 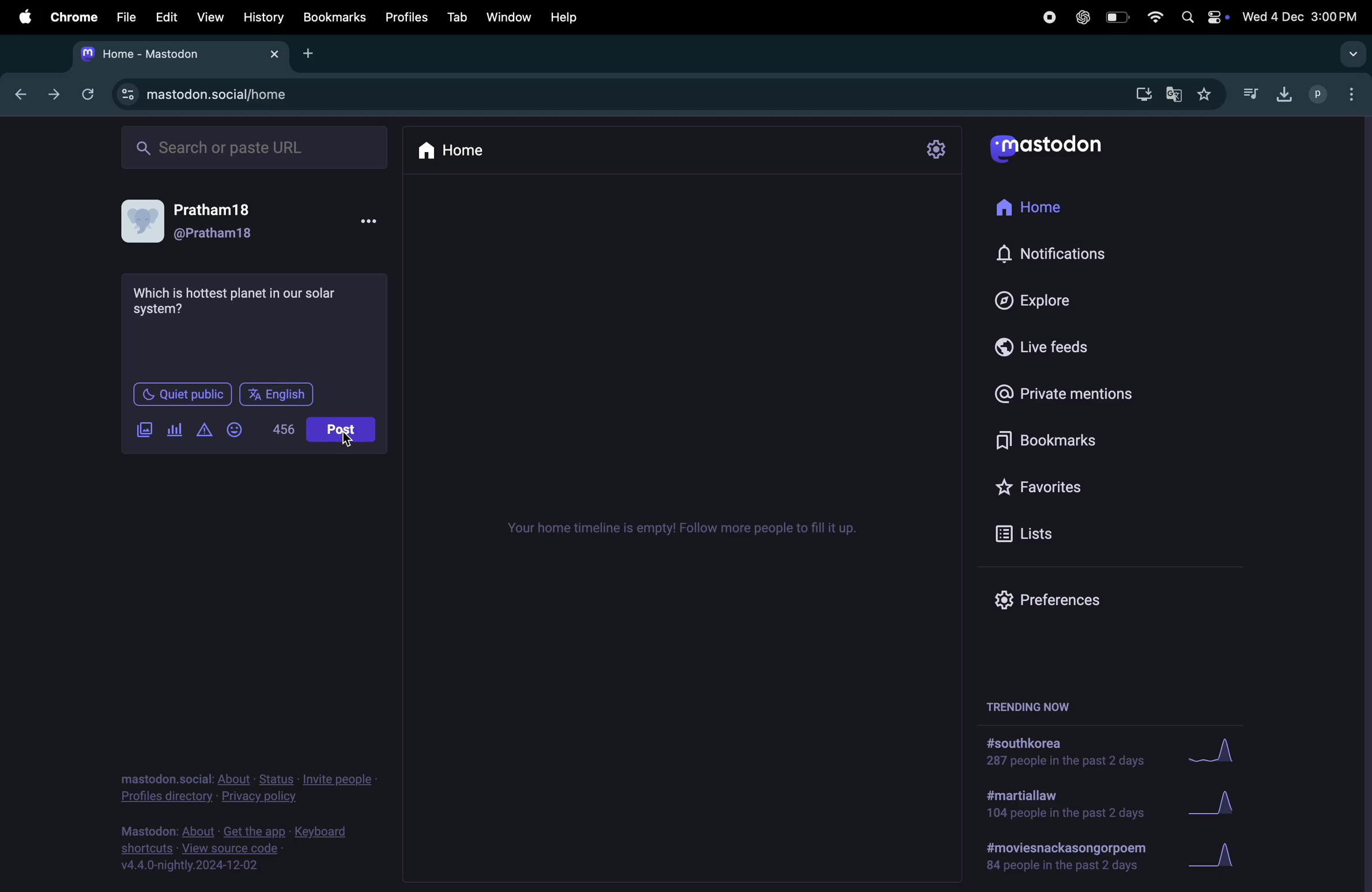 I want to click on user profile, so click(x=250, y=222).